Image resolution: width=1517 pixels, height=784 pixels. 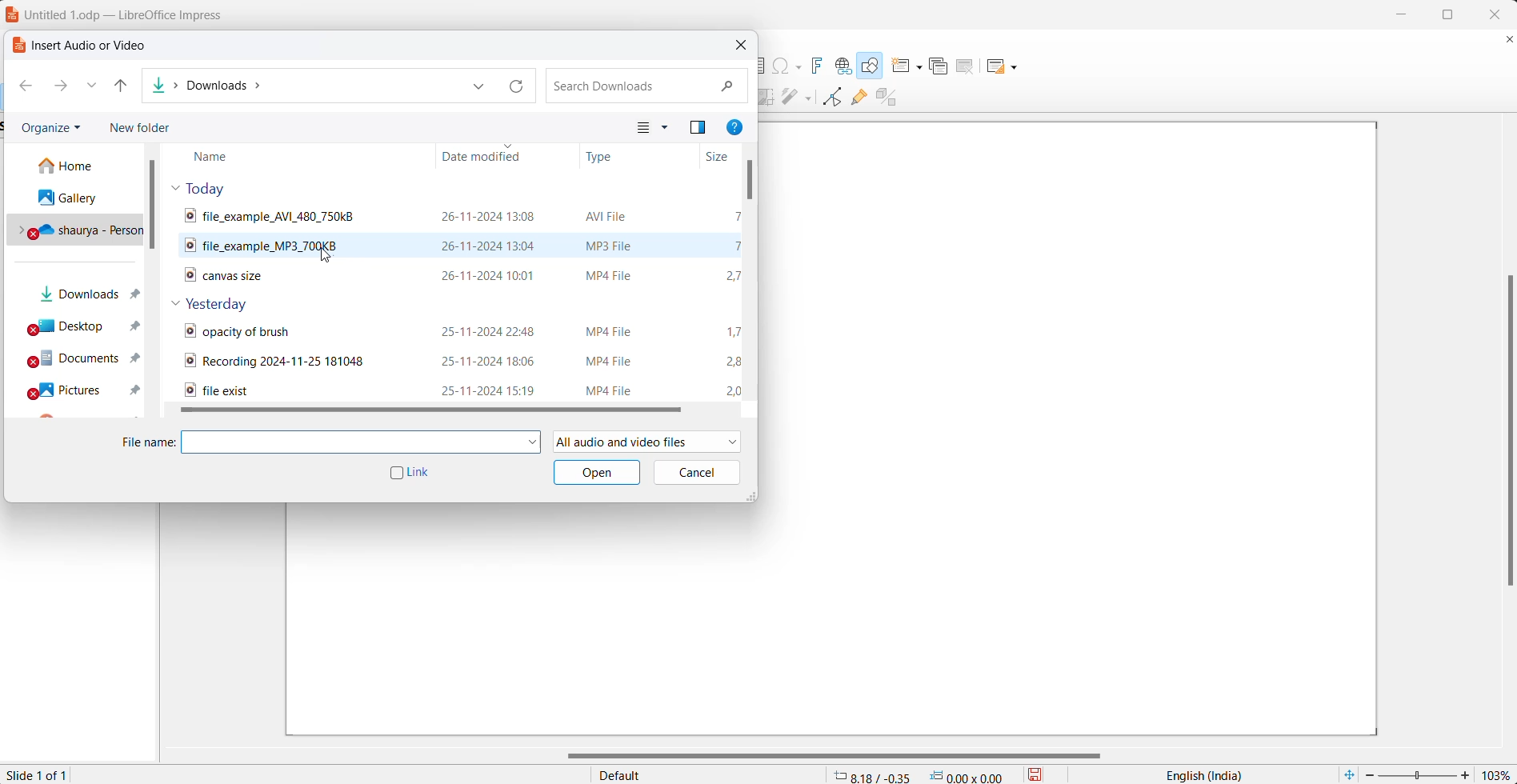 I want to click on paths, so click(x=302, y=86).